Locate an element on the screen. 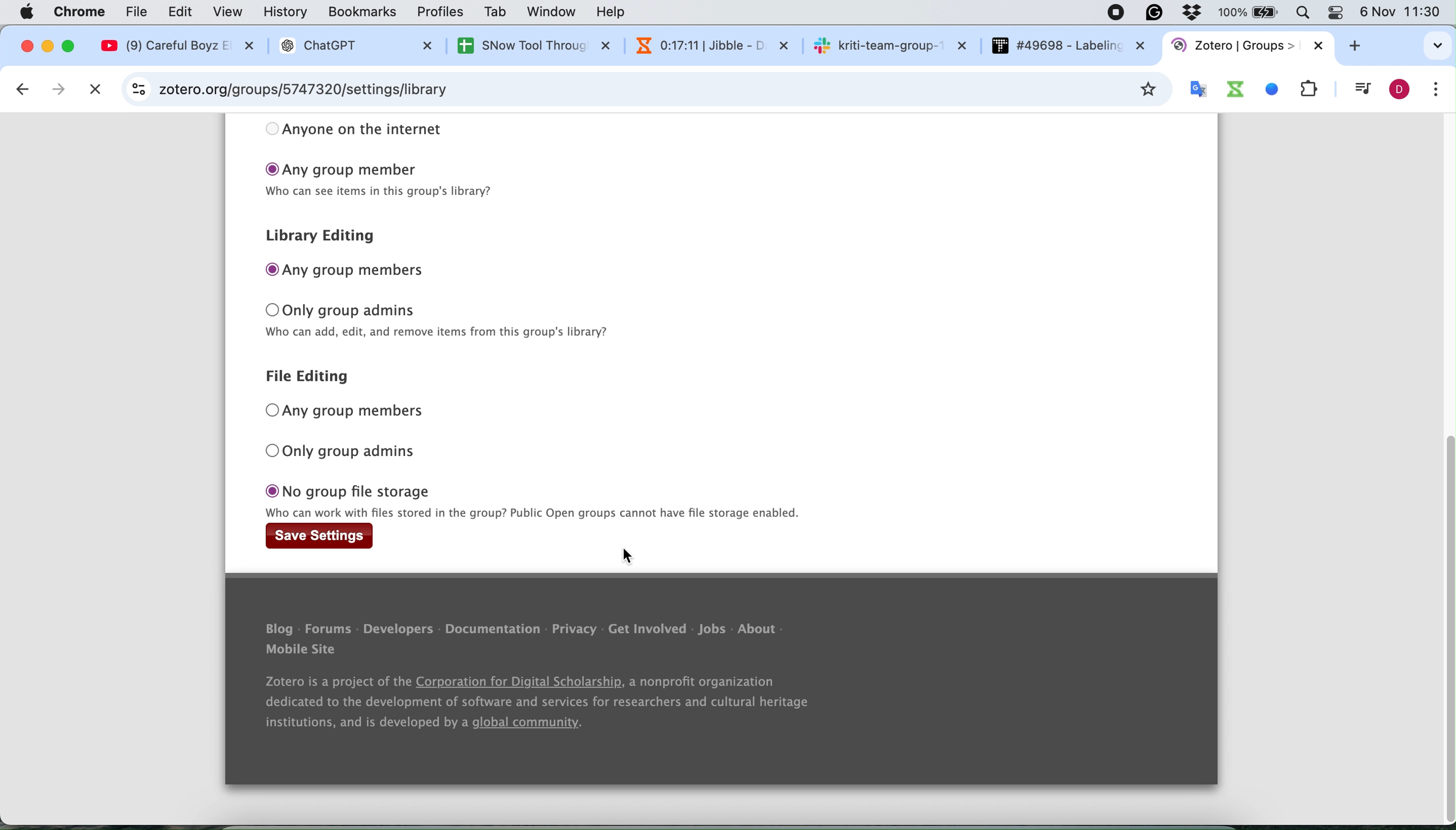  system extensions is located at coordinates (1260, 88).